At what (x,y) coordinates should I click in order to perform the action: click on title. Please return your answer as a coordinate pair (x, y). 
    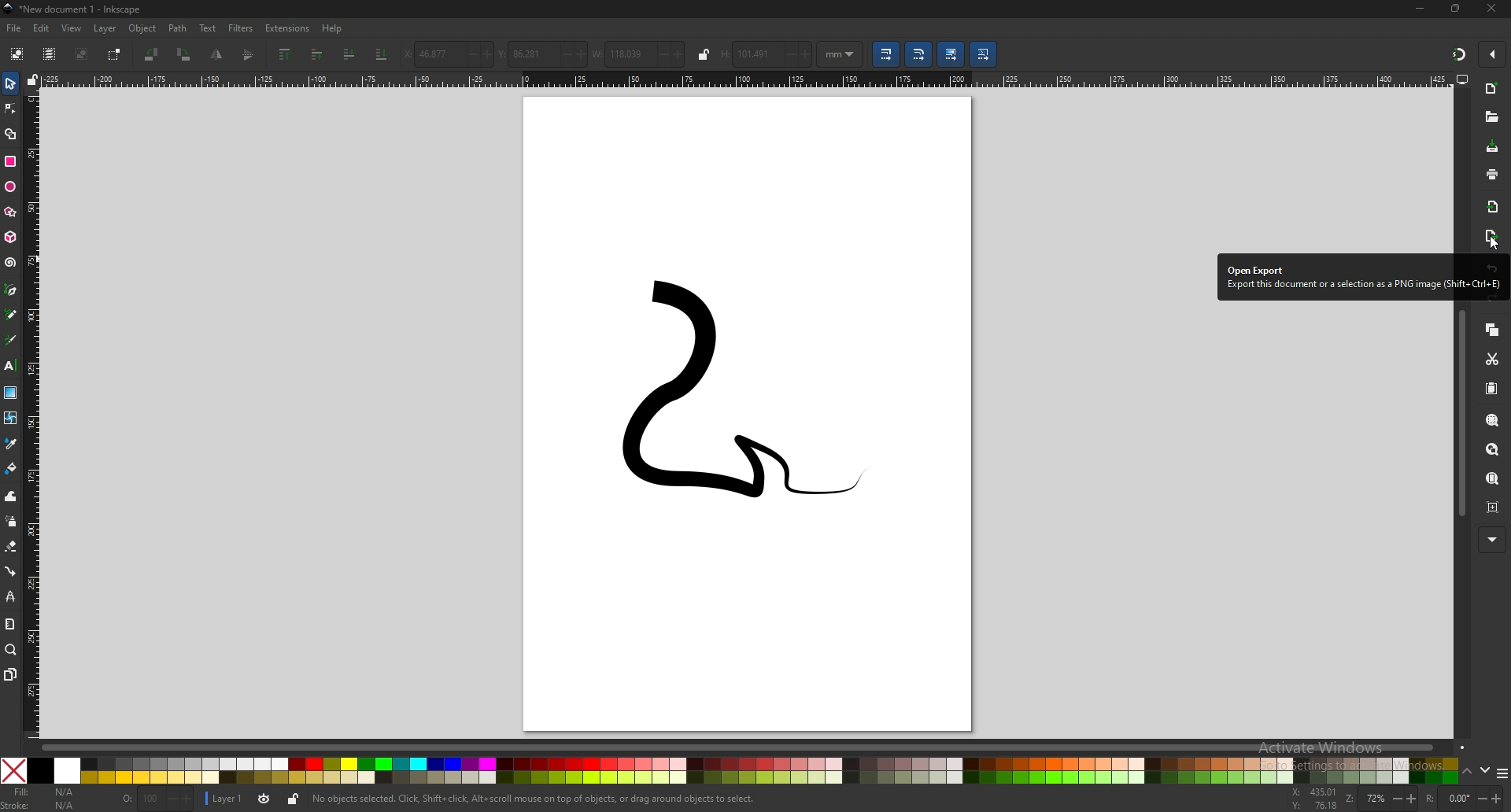
    Looking at the image, I should click on (78, 9).